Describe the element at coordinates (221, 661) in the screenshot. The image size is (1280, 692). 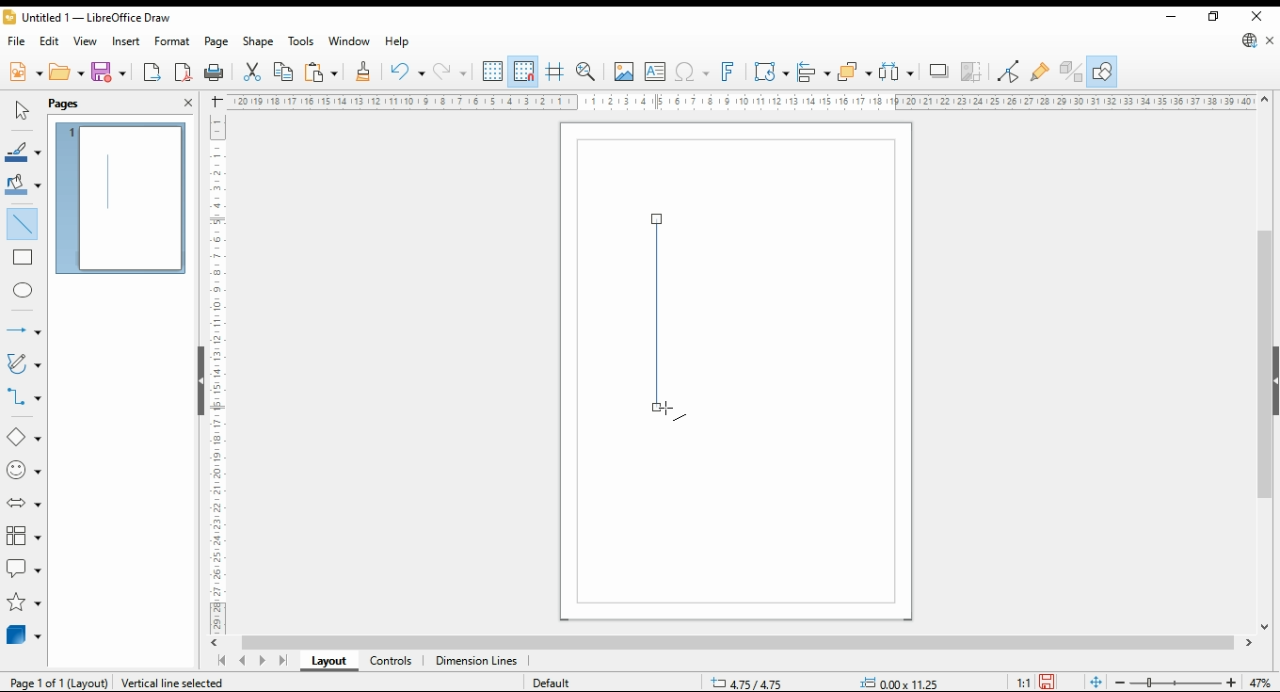
I see `first page` at that location.